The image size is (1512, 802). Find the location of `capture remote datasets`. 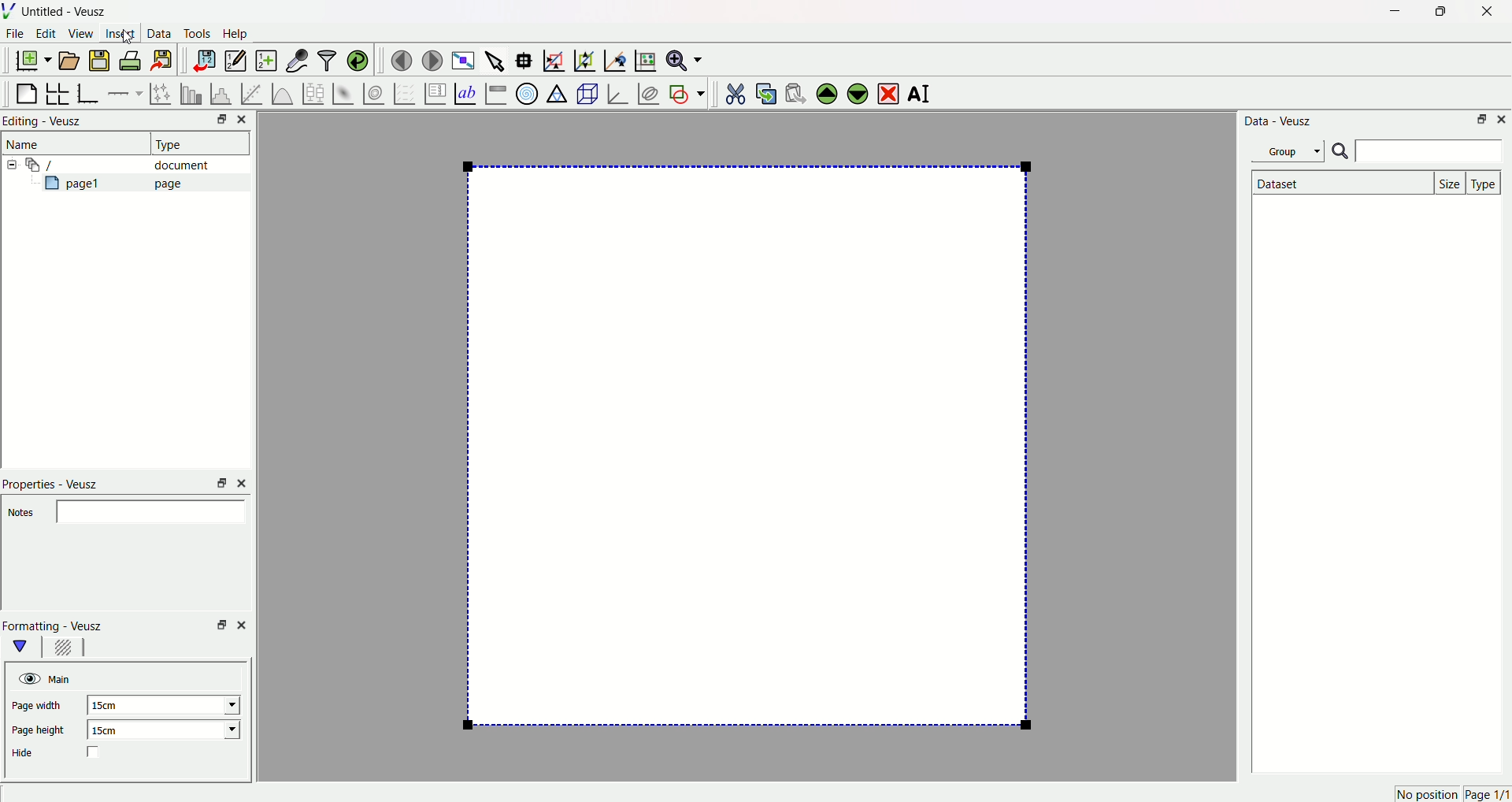

capture remote datasets is located at coordinates (295, 59).